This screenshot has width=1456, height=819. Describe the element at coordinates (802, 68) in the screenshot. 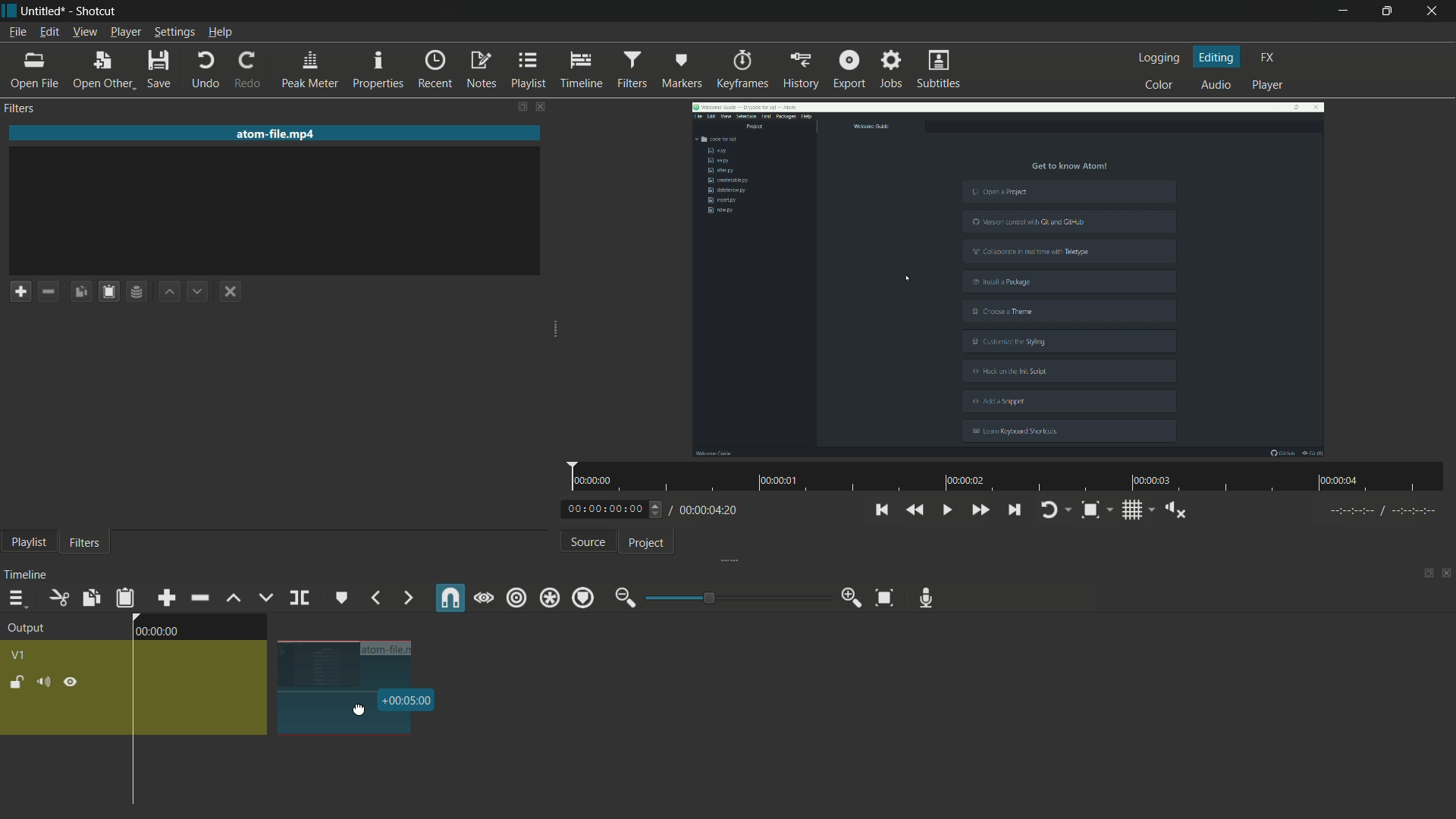

I see `history` at that location.